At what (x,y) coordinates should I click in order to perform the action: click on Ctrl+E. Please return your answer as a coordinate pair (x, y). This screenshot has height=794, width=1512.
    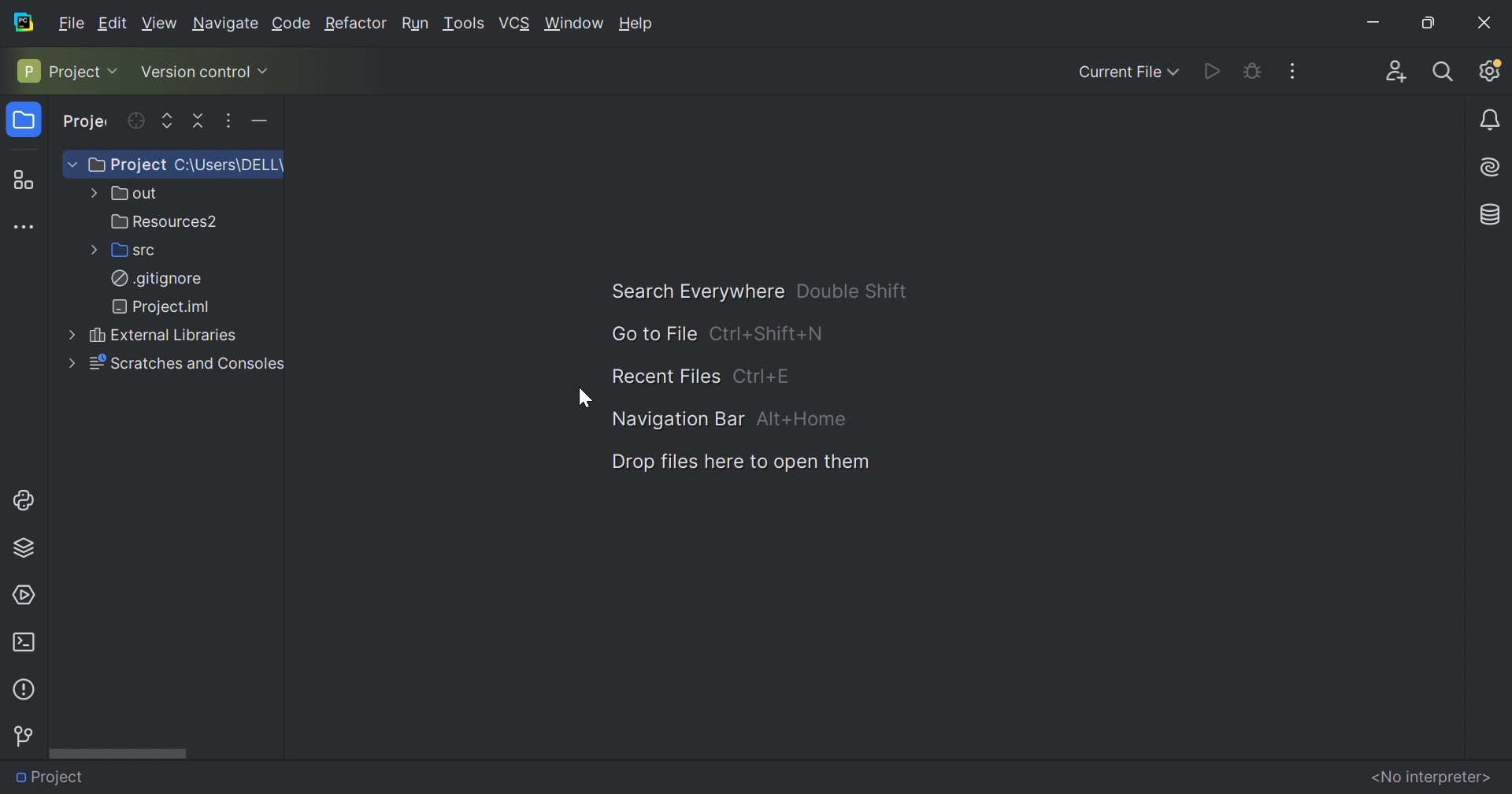
    Looking at the image, I should click on (764, 377).